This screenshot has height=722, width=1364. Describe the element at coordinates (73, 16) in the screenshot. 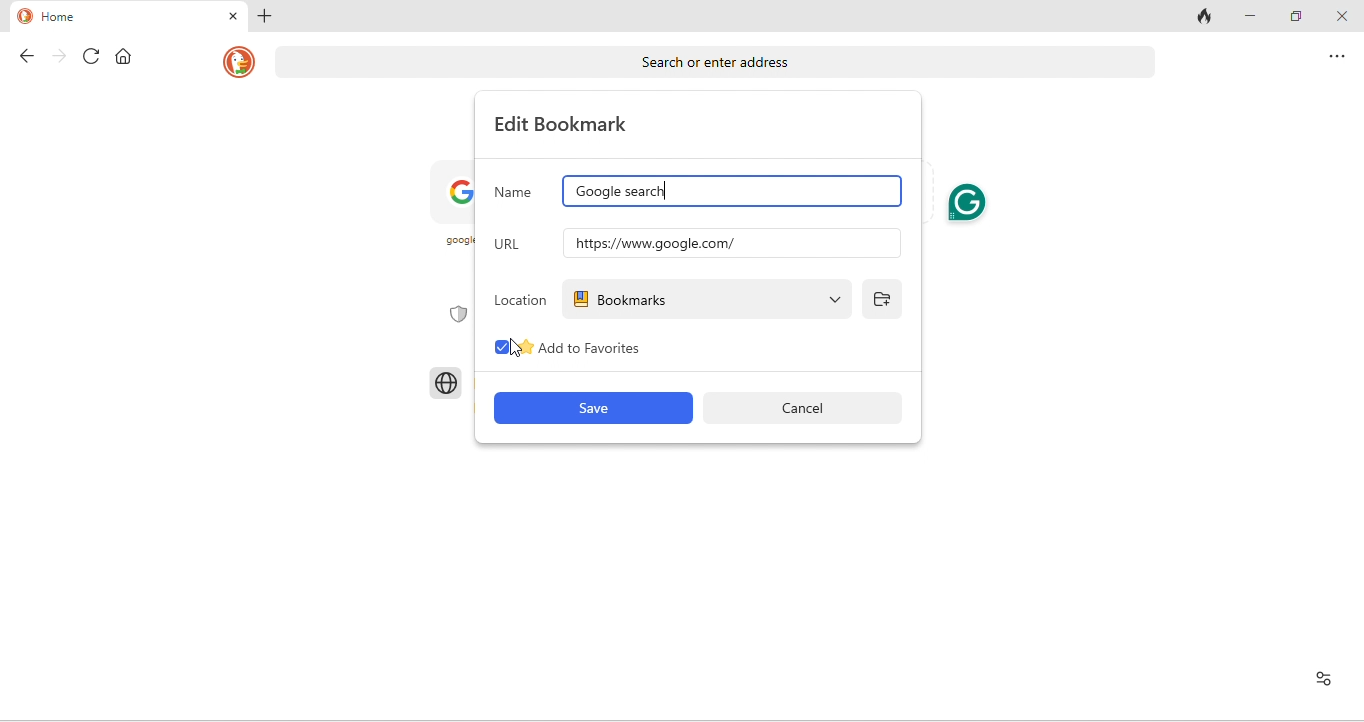

I see `home` at that location.